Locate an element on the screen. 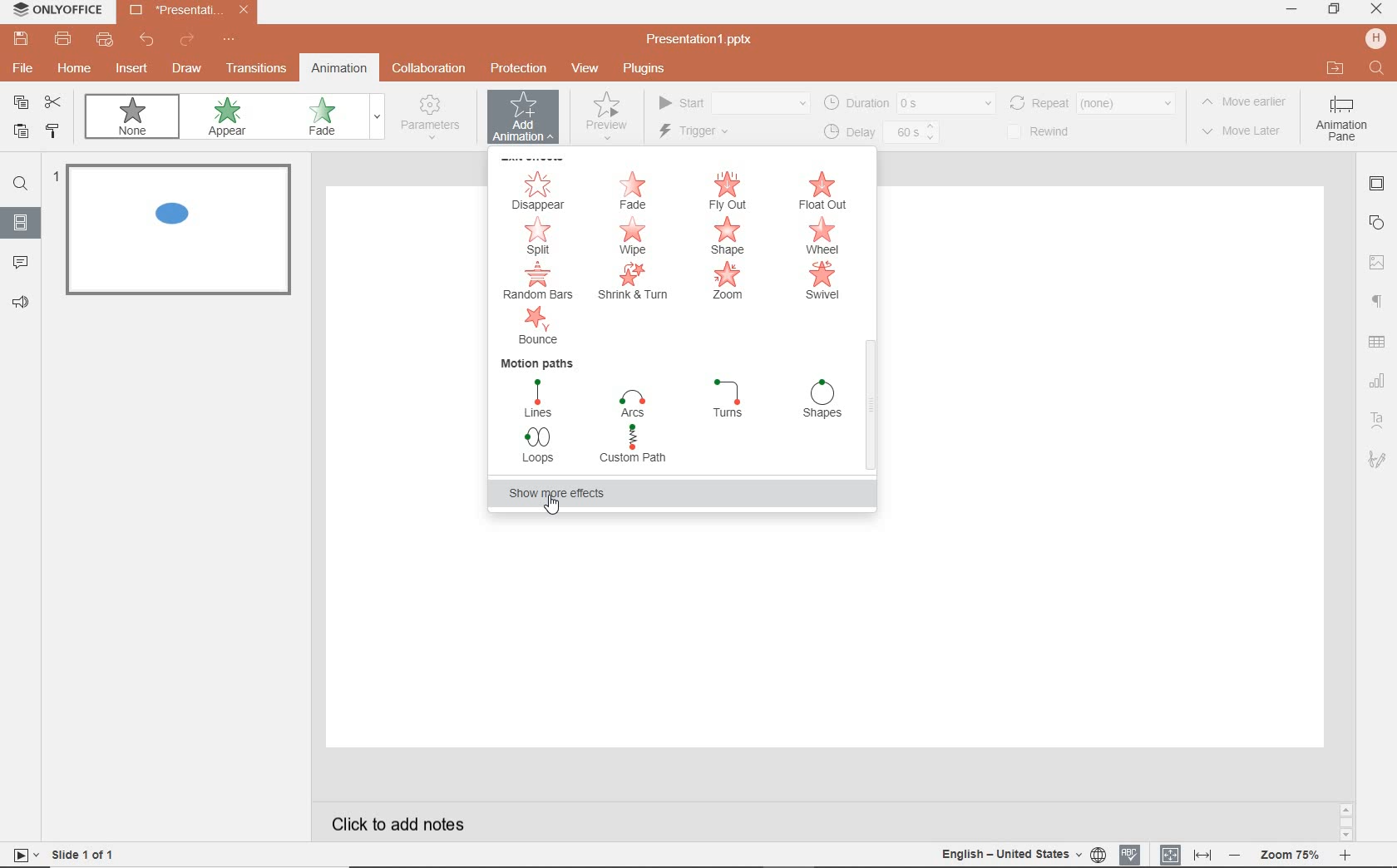  slide settings is located at coordinates (1379, 186).